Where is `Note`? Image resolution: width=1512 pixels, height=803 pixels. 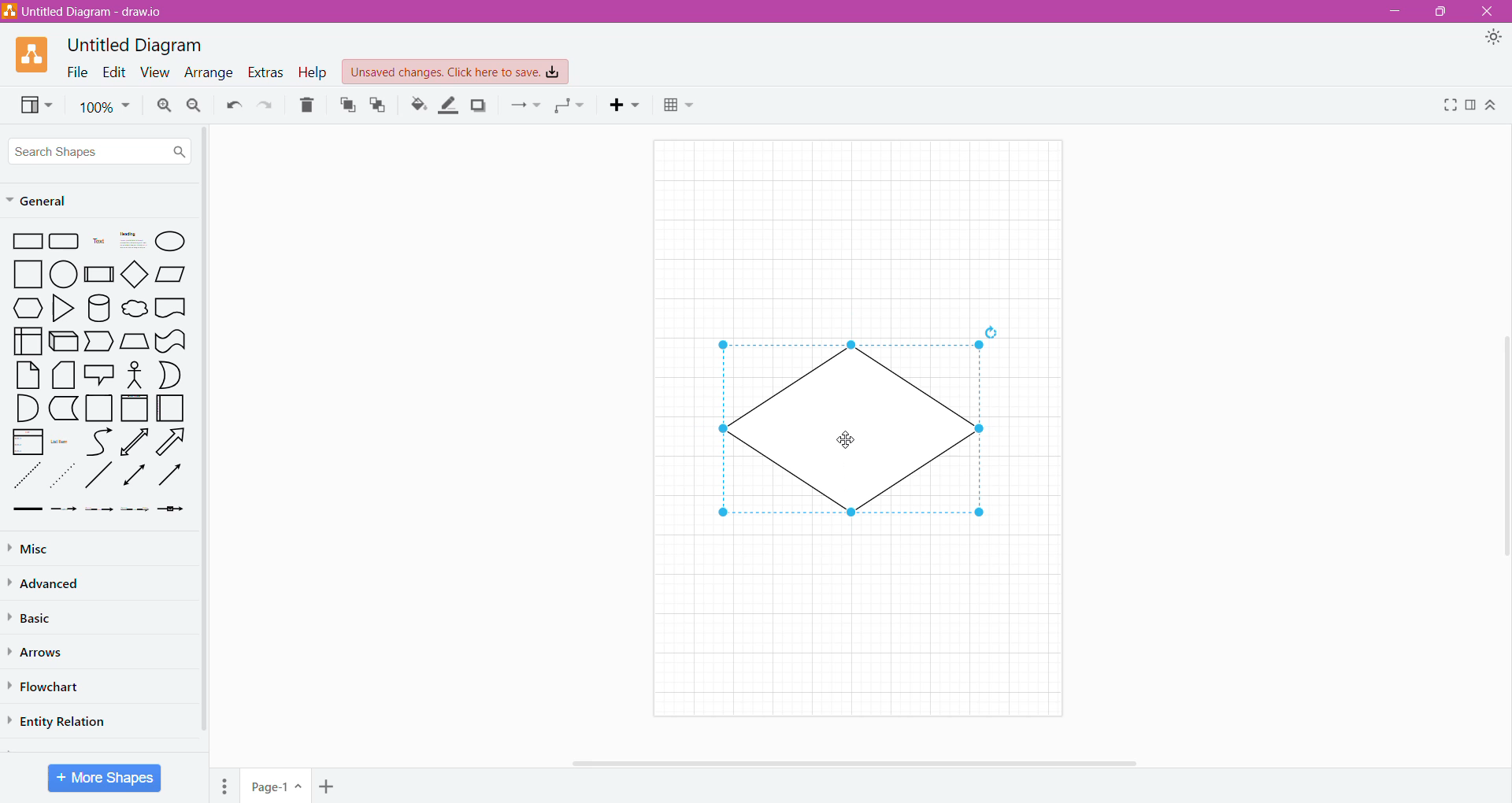 Note is located at coordinates (28, 375).